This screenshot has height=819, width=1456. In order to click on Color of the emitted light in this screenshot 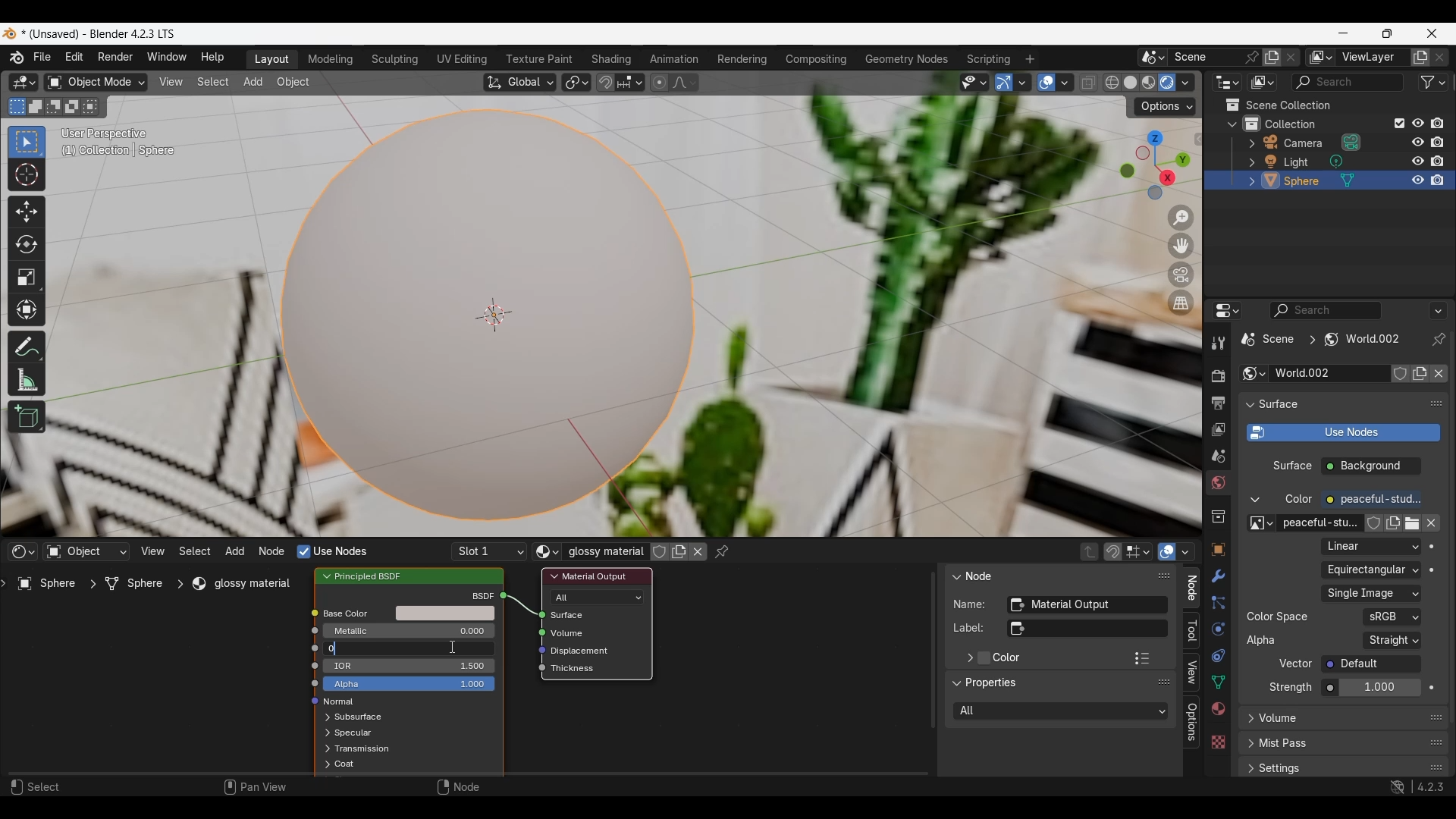, I will do `click(1371, 500)`.